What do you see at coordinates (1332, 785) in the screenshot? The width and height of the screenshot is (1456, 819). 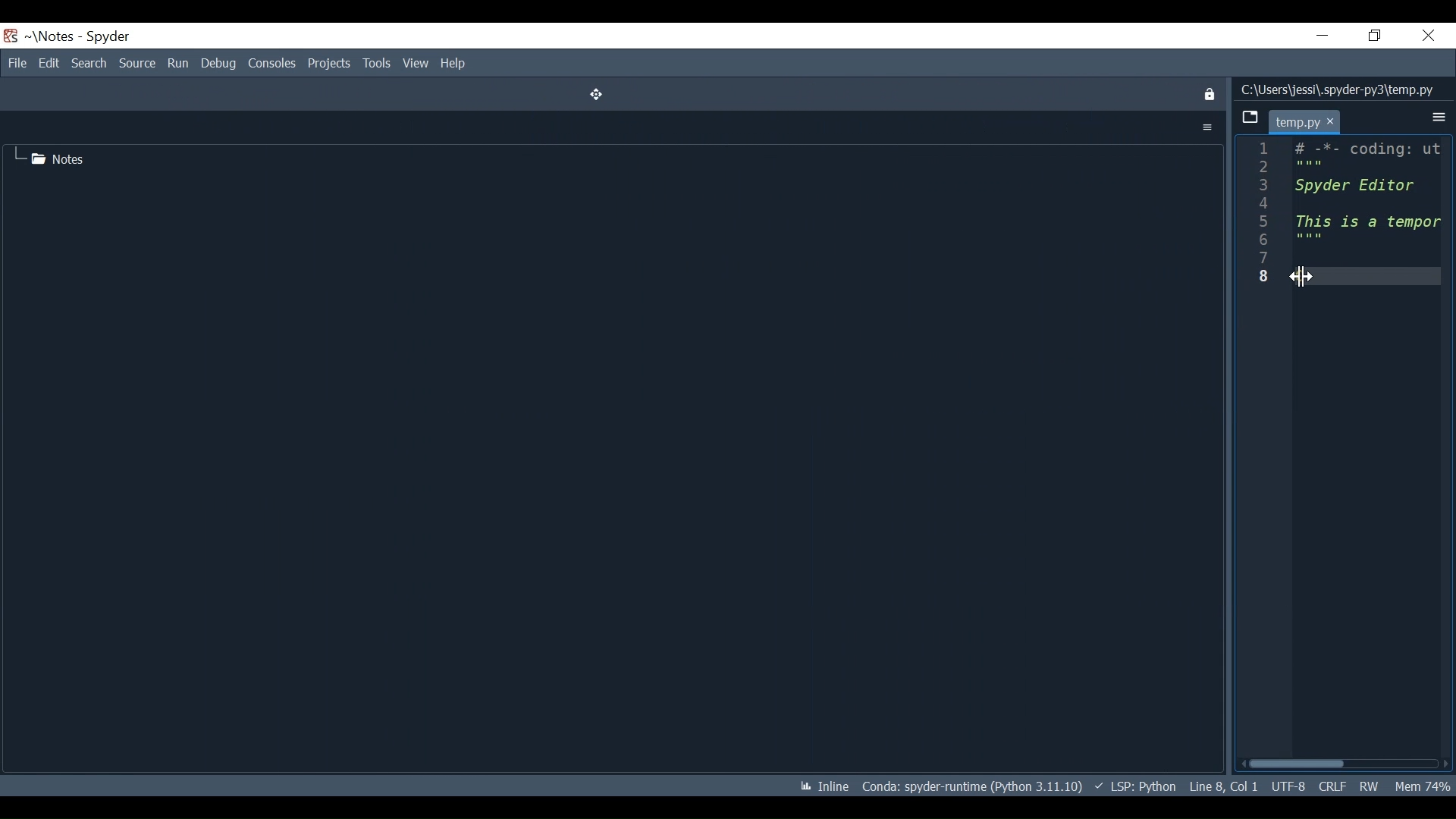 I see `CRLF` at bounding box center [1332, 785].